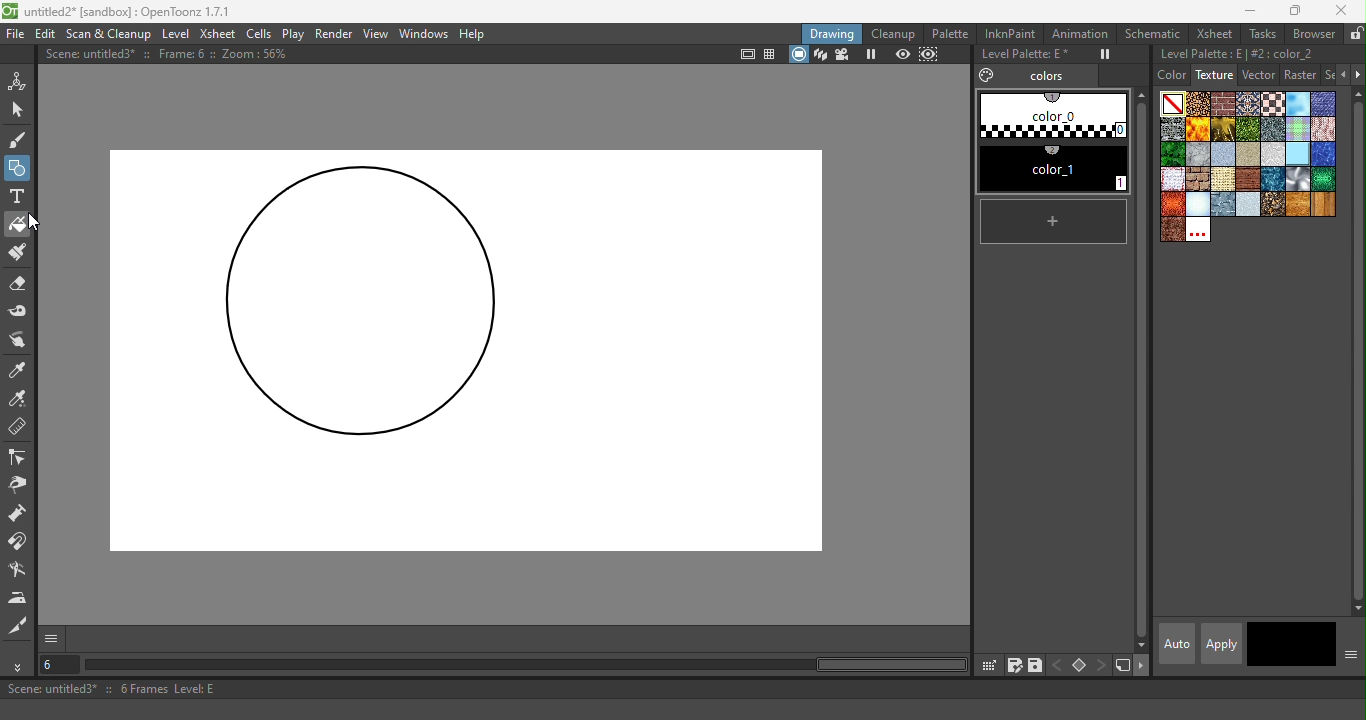 This screenshot has width=1366, height=720. Describe the element at coordinates (1248, 154) in the screenshot. I see `Paper 4.bmp` at that location.